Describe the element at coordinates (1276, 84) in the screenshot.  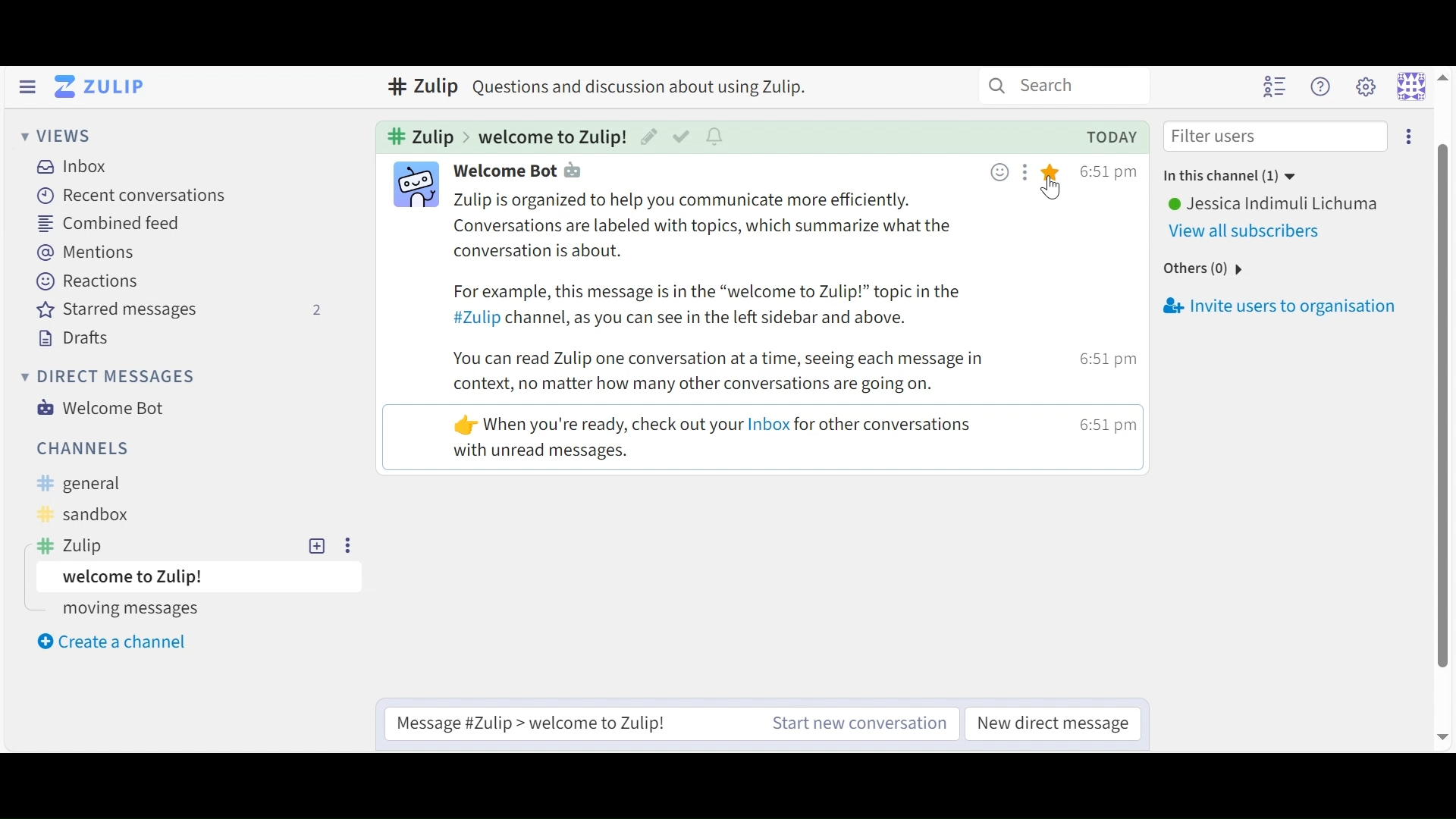
I see `Hide user list` at that location.